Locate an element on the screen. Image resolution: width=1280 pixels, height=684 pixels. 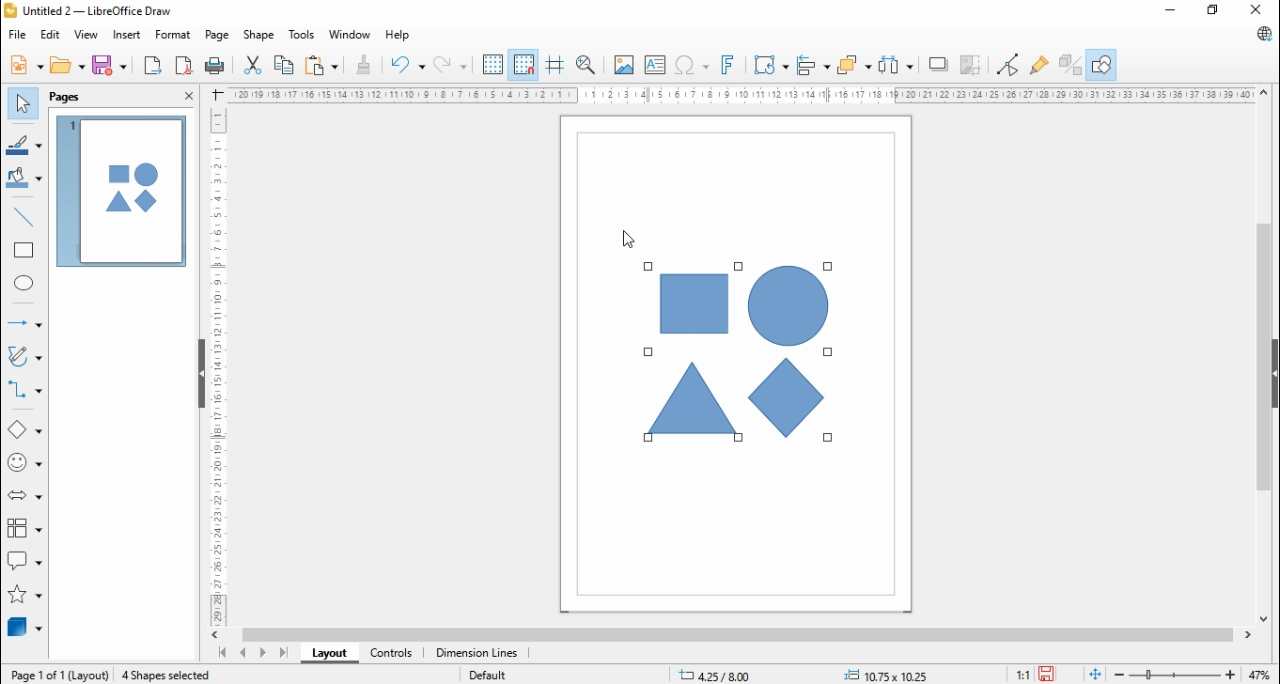
fit page to window is located at coordinates (1096, 674).